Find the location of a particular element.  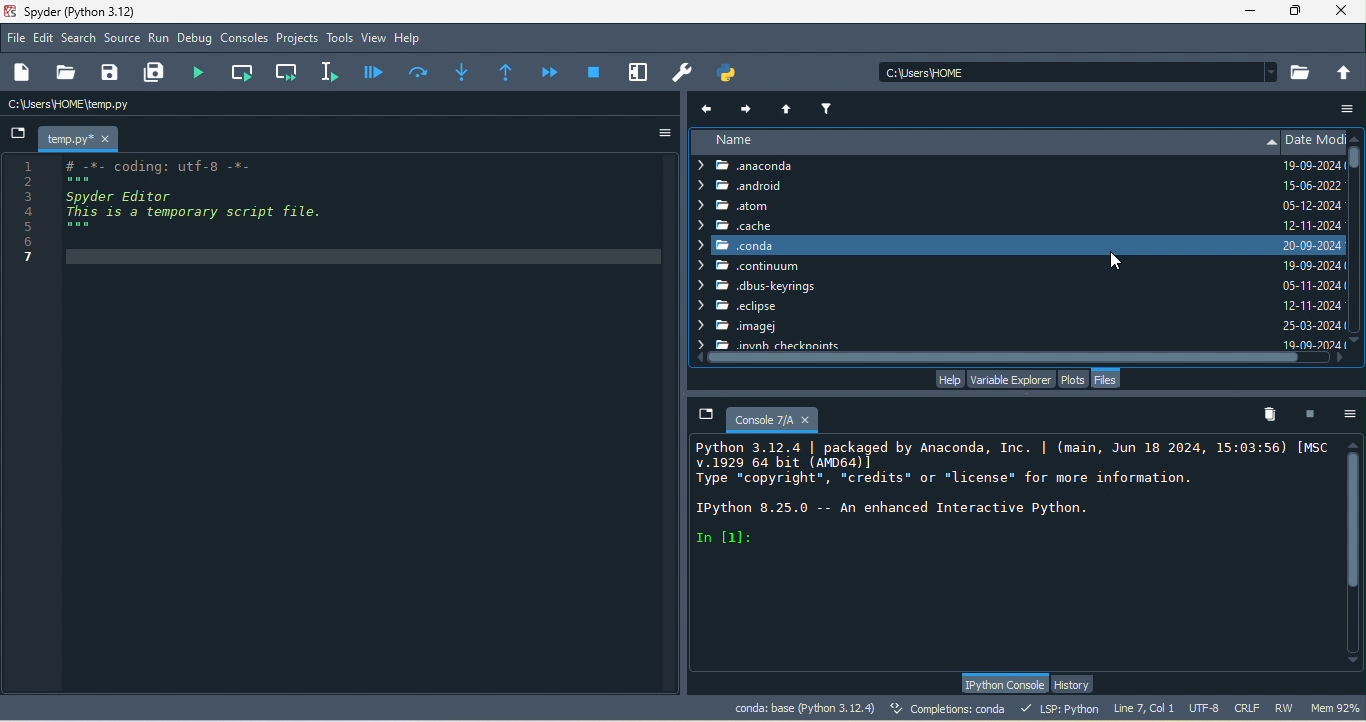

lsp python is located at coordinates (1063, 708).